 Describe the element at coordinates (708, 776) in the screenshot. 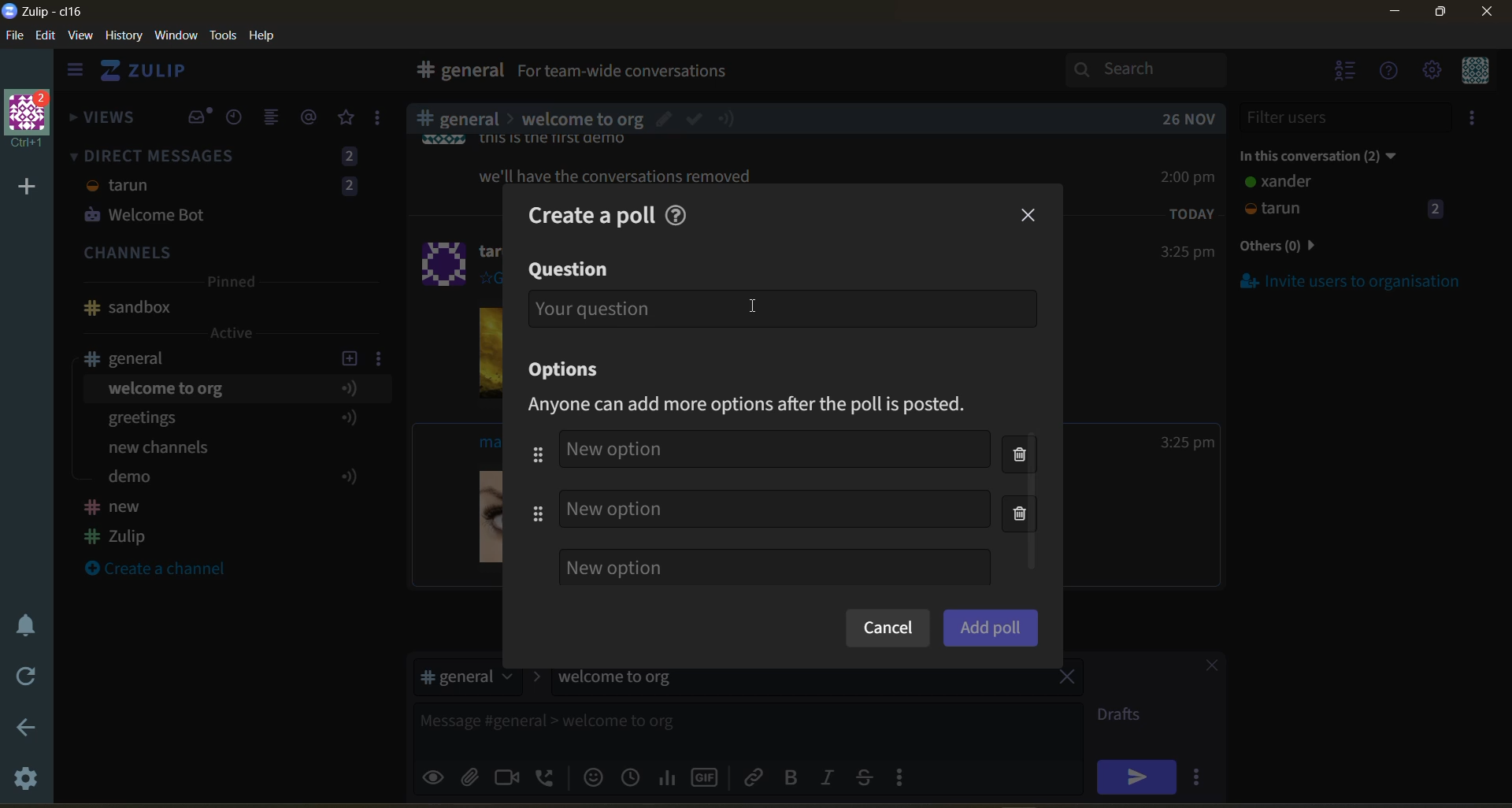

I see `add gif` at that location.